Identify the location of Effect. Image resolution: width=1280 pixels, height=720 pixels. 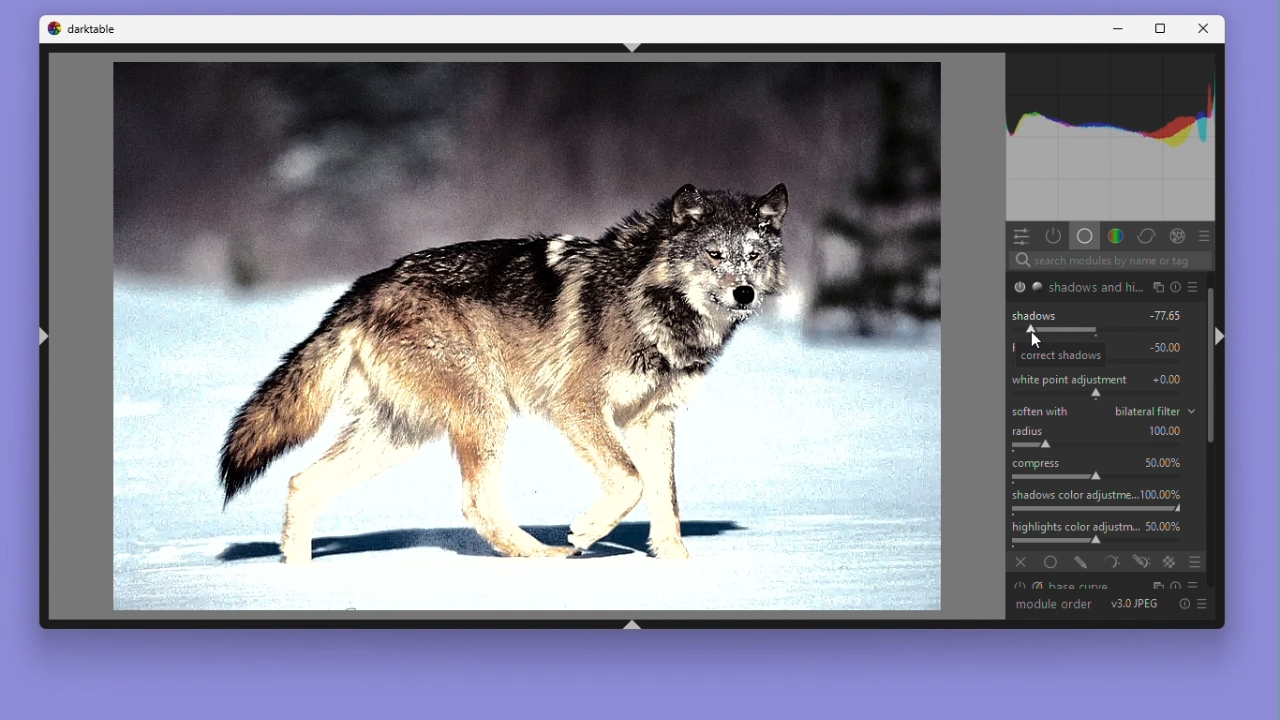
(1177, 236).